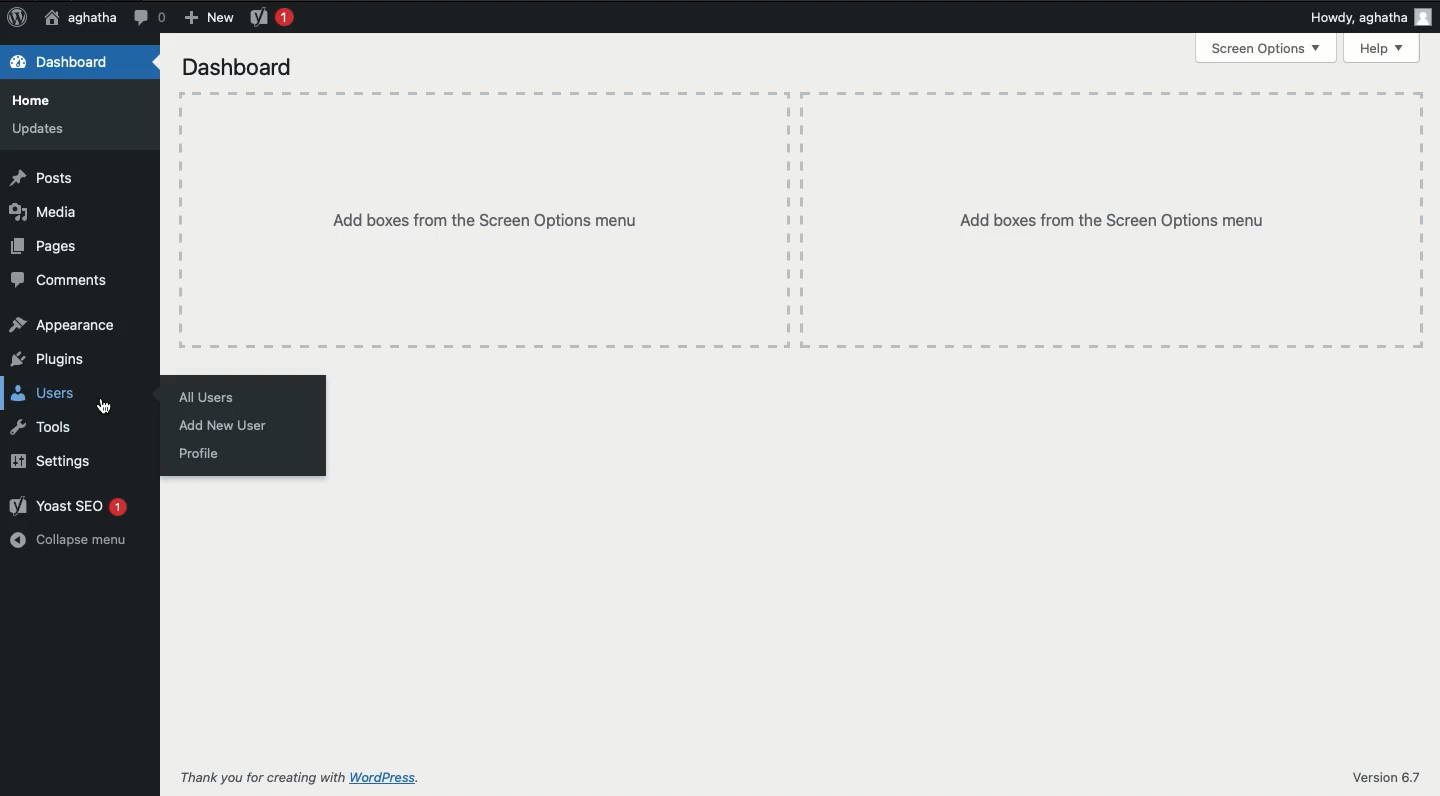 This screenshot has width=1440, height=796. I want to click on Comment, so click(149, 17).